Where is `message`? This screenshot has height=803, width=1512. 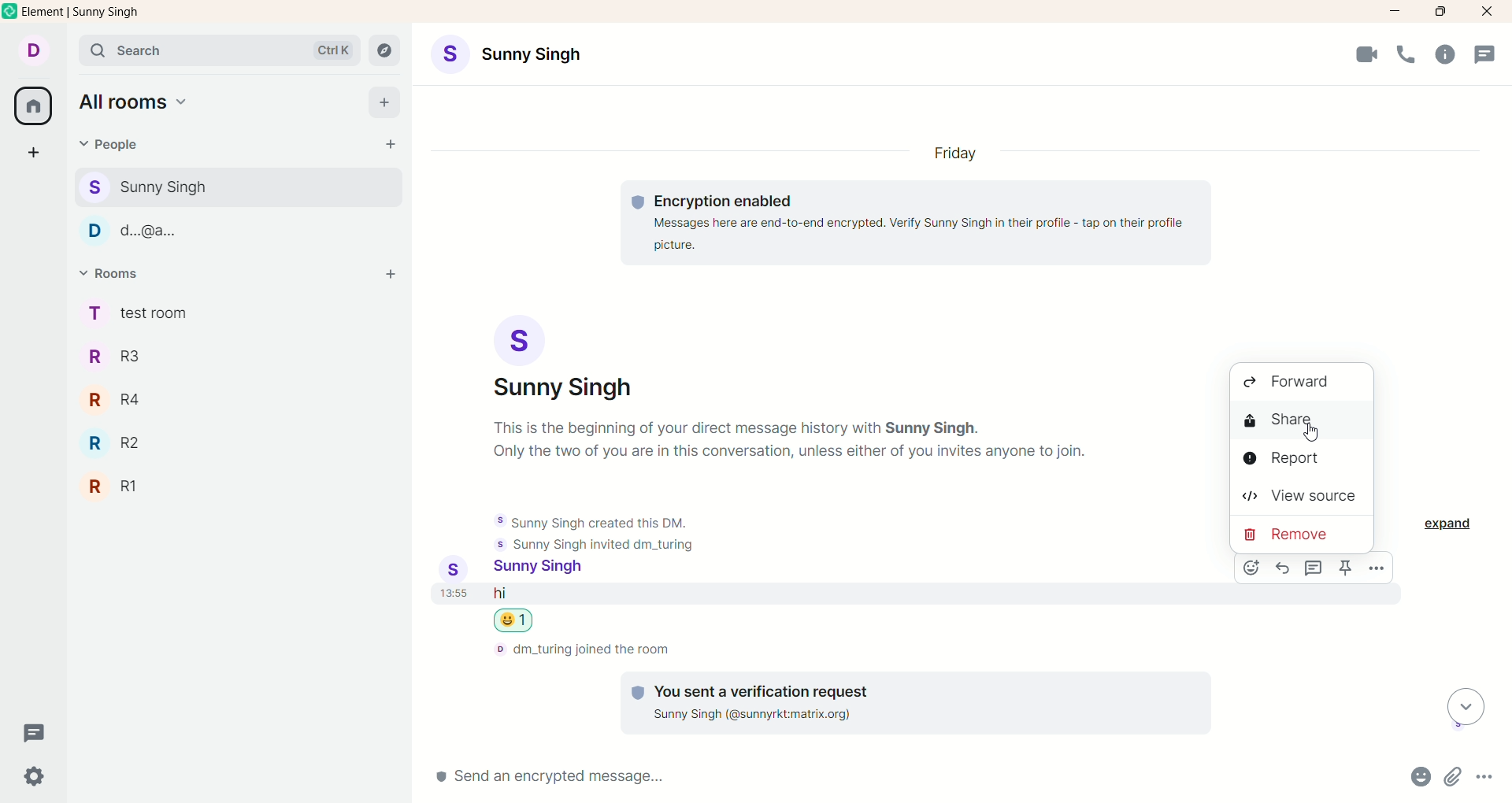
message is located at coordinates (580, 594).